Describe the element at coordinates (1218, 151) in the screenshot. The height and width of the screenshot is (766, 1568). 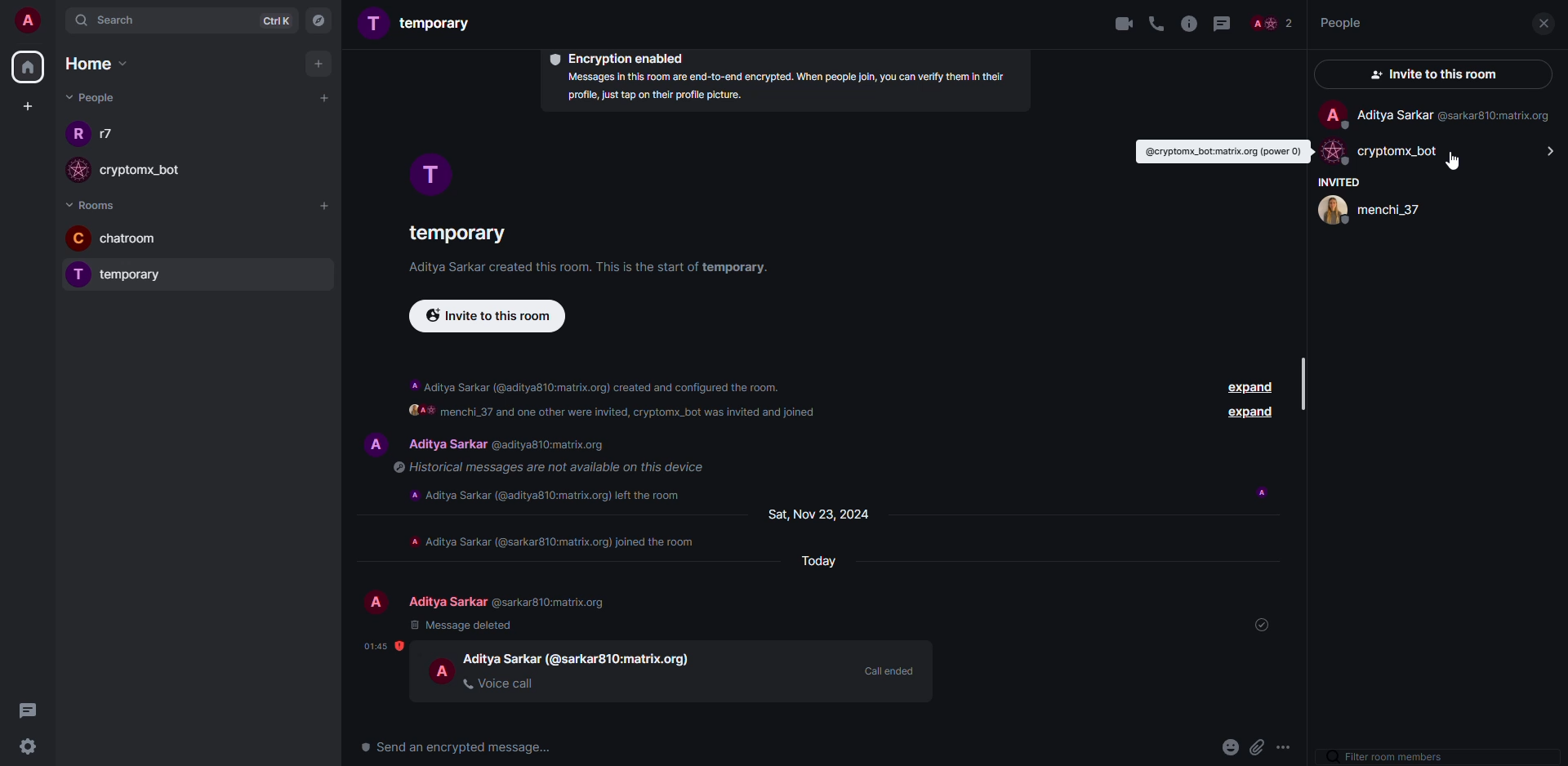
I see `id` at that location.